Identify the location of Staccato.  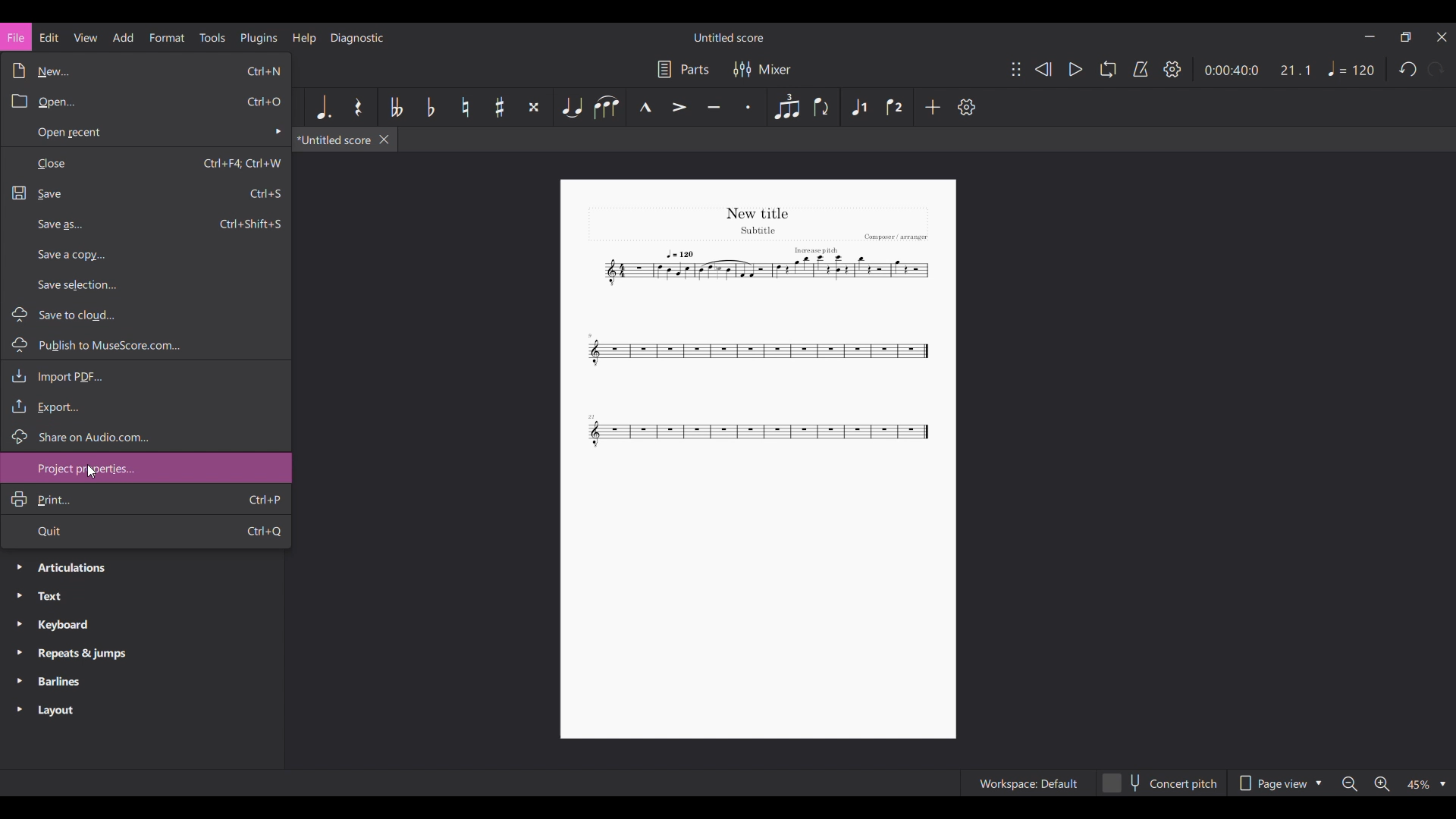
(748, 107).